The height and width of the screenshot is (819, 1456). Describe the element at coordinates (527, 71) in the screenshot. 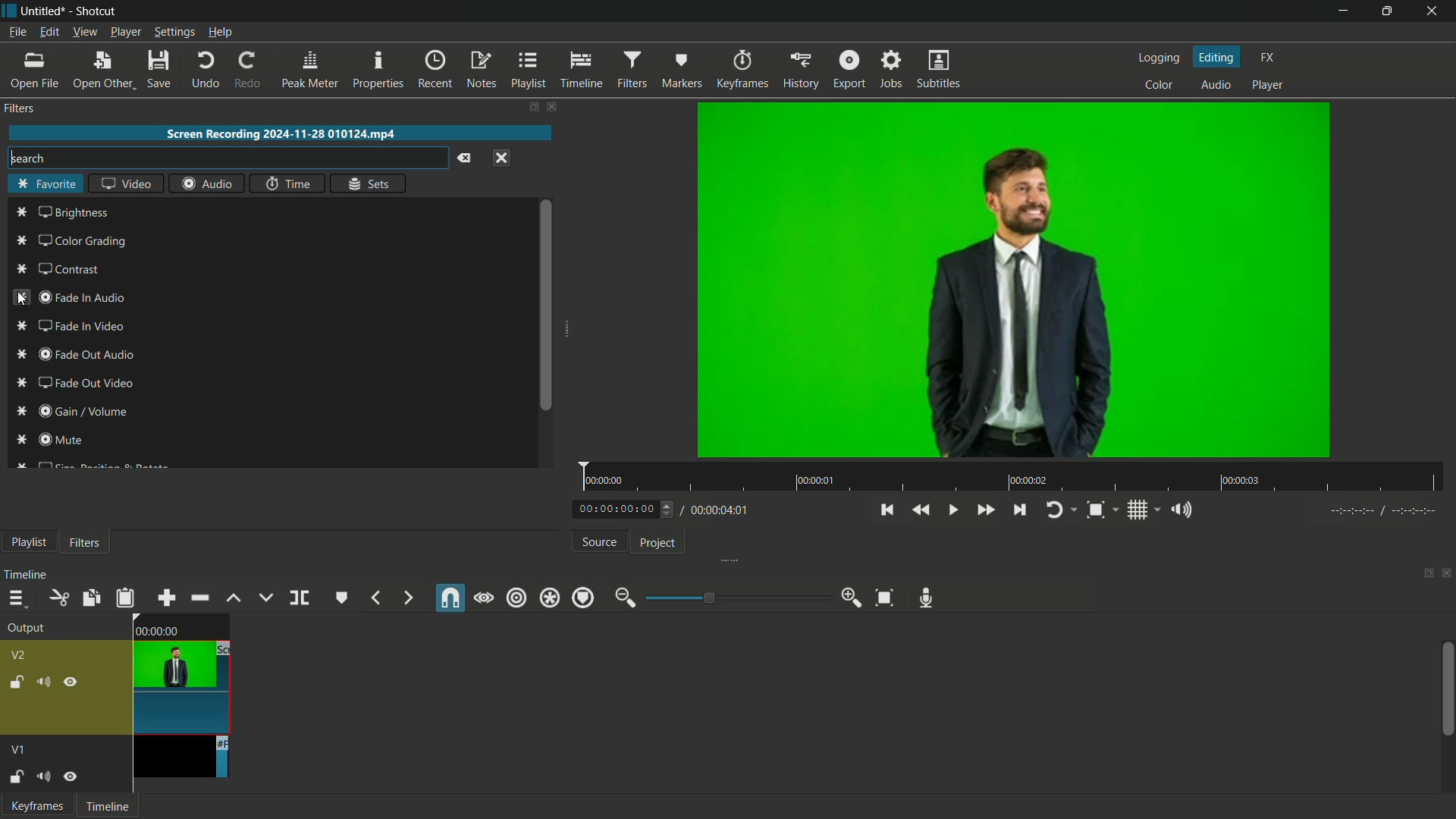

I see `playlist` at that location.